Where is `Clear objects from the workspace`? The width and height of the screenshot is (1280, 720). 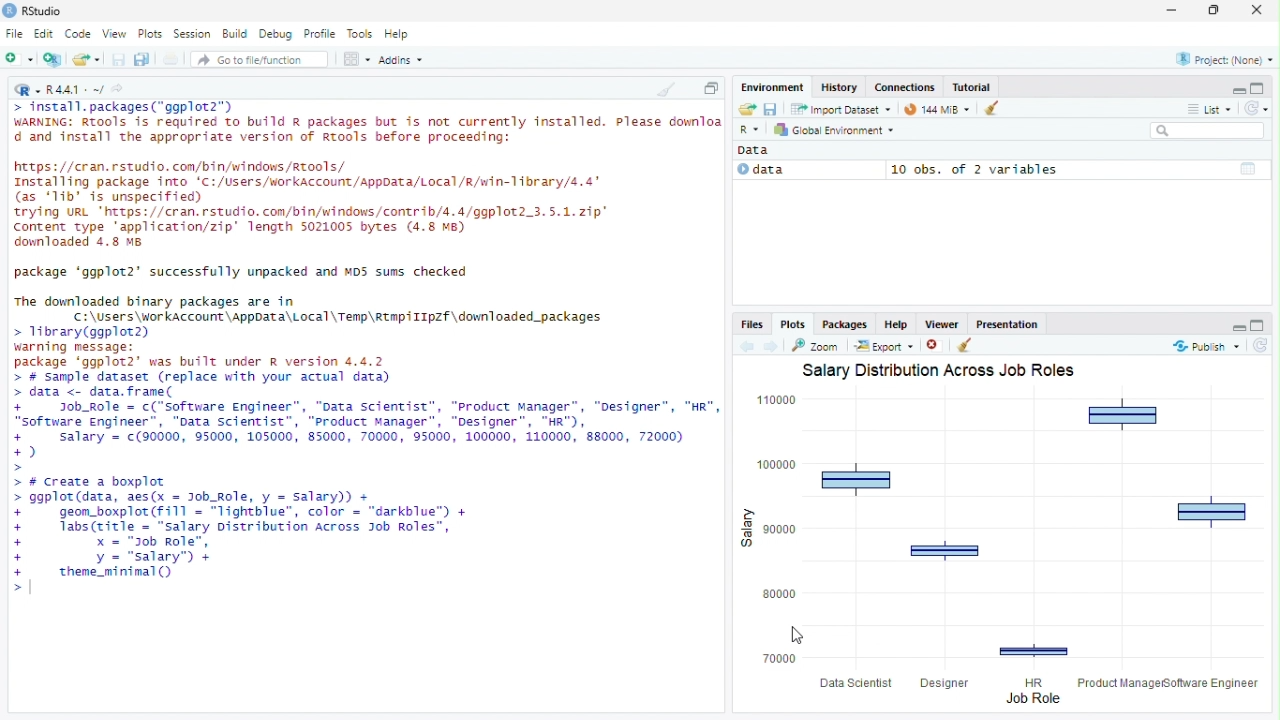
Clear objects from the workspace is located at coordinates (994, 109).